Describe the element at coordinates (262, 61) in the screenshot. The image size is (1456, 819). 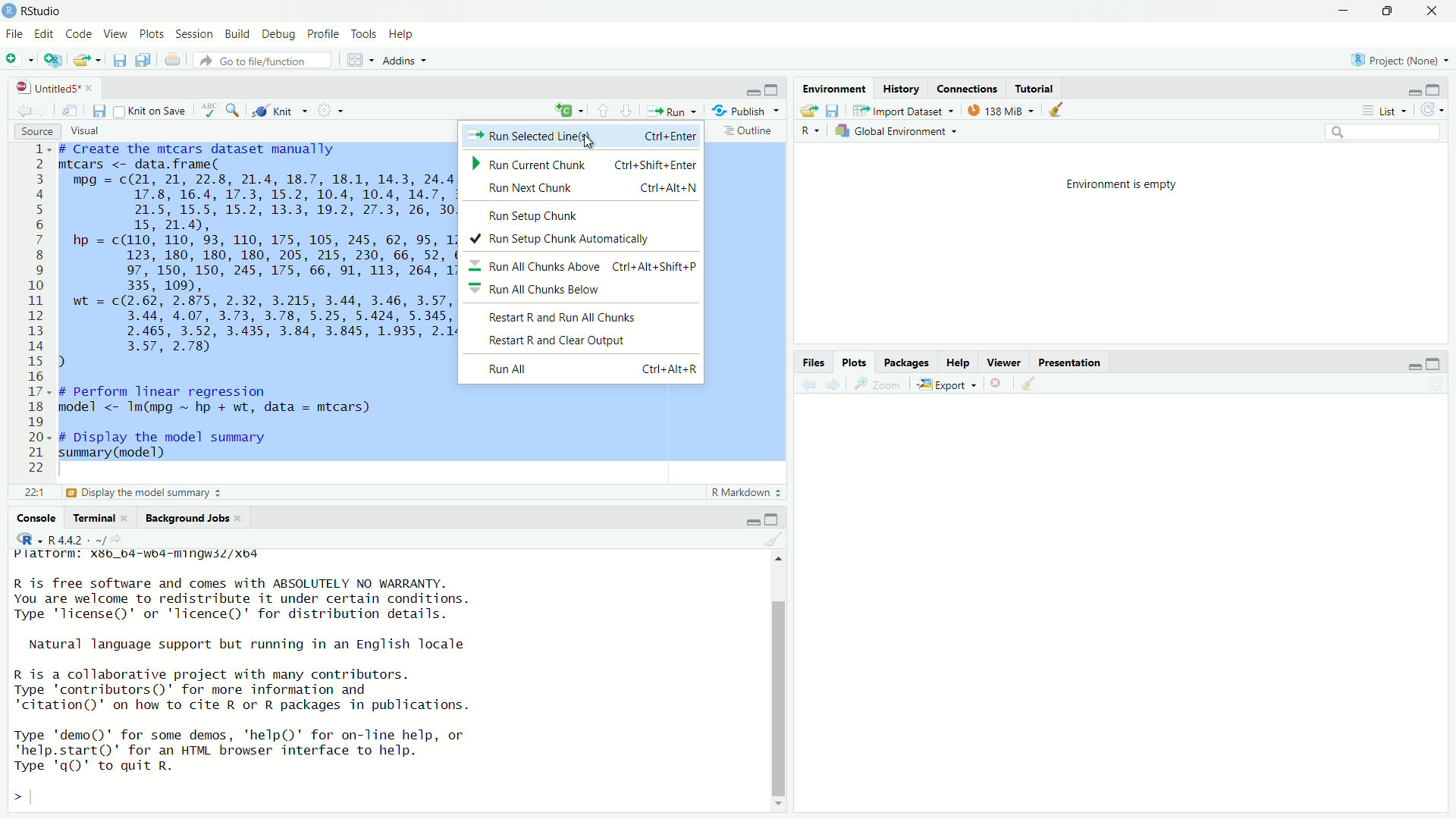
I see `go to file /function` at that location.